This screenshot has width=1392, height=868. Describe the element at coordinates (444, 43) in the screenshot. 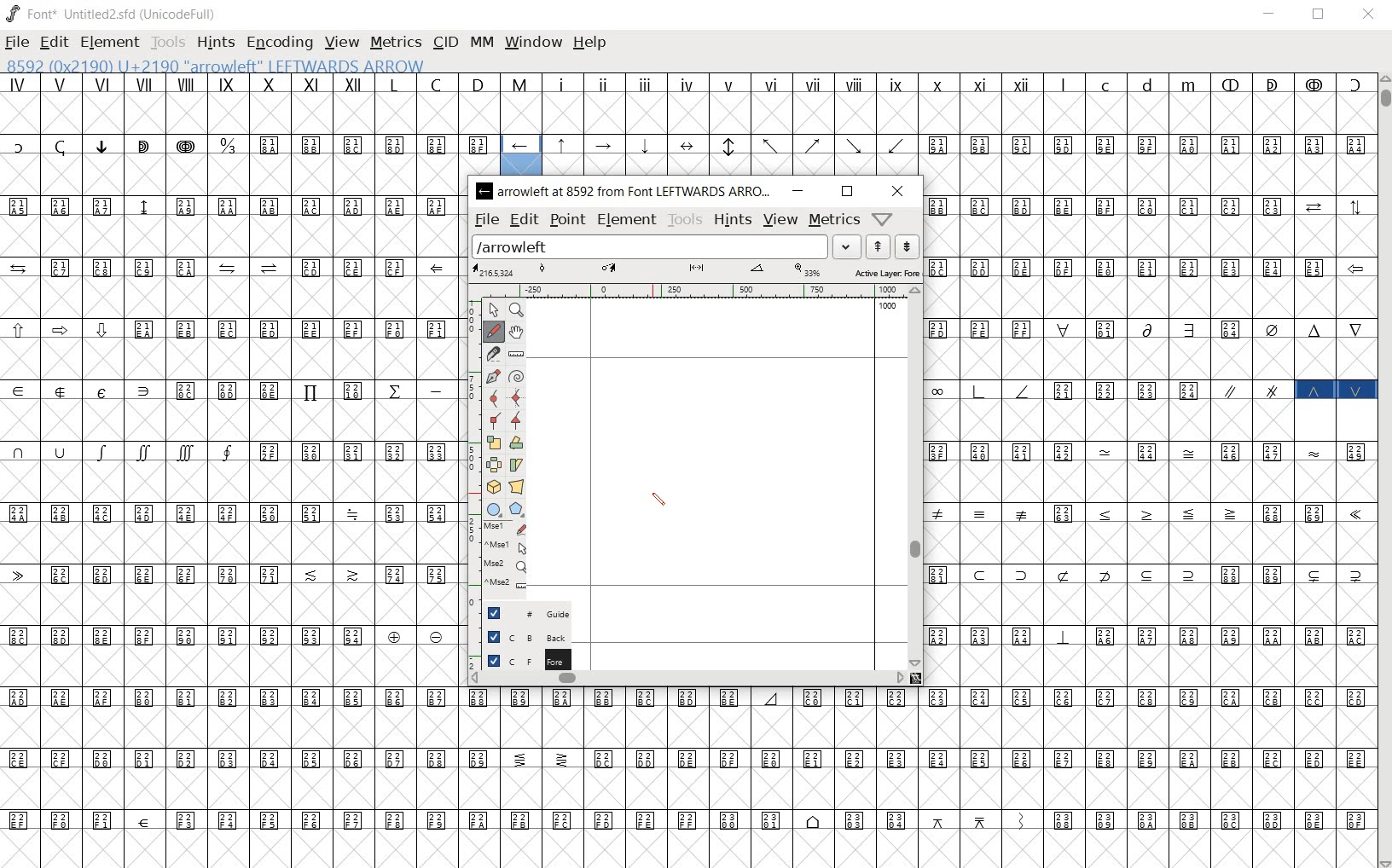

I see `cid` at that location.